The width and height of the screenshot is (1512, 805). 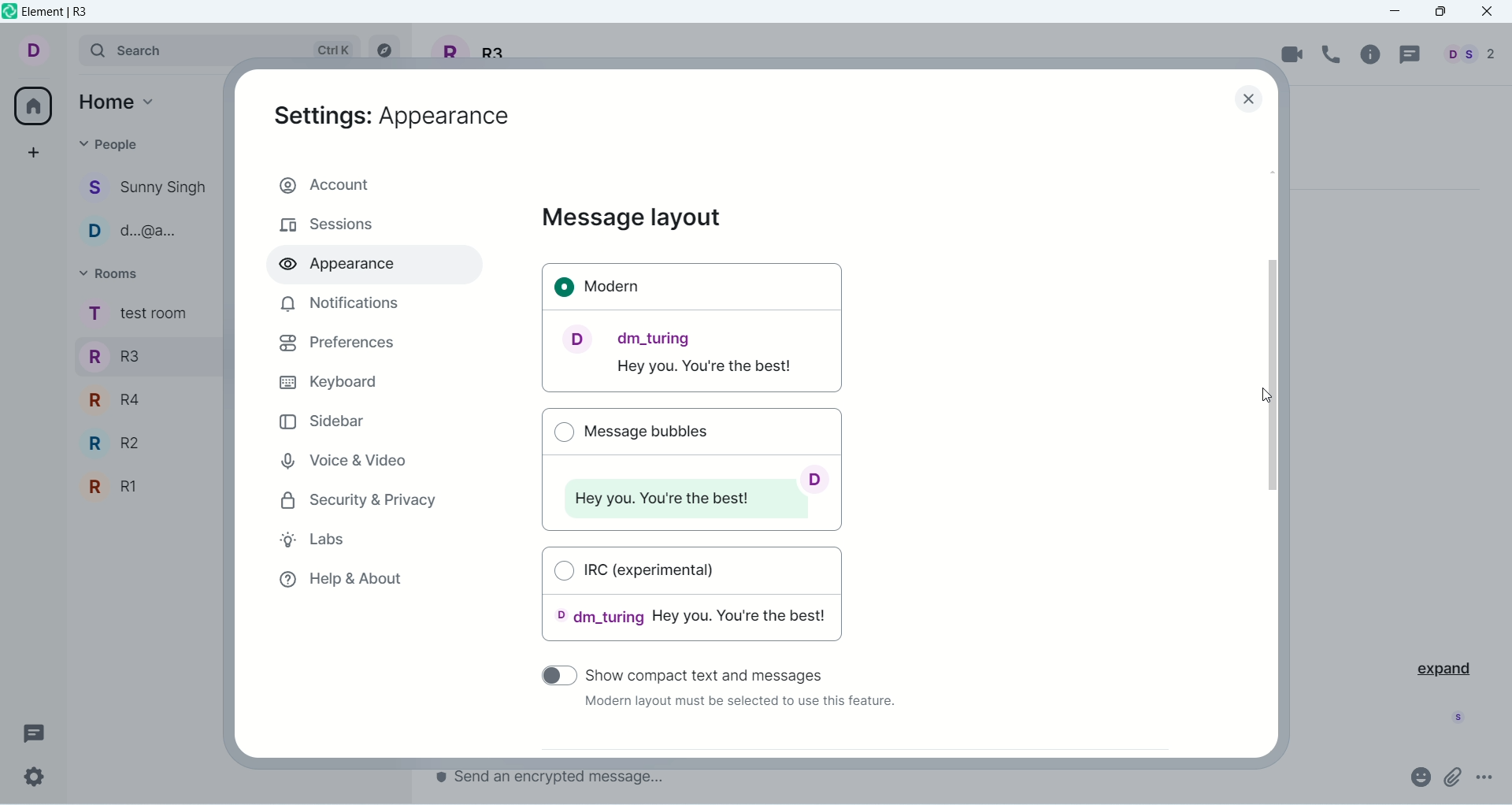 What do you see at coordinates (324, 421) in the screenshot?
I see `sidebar` at bounding box center [324, 421].